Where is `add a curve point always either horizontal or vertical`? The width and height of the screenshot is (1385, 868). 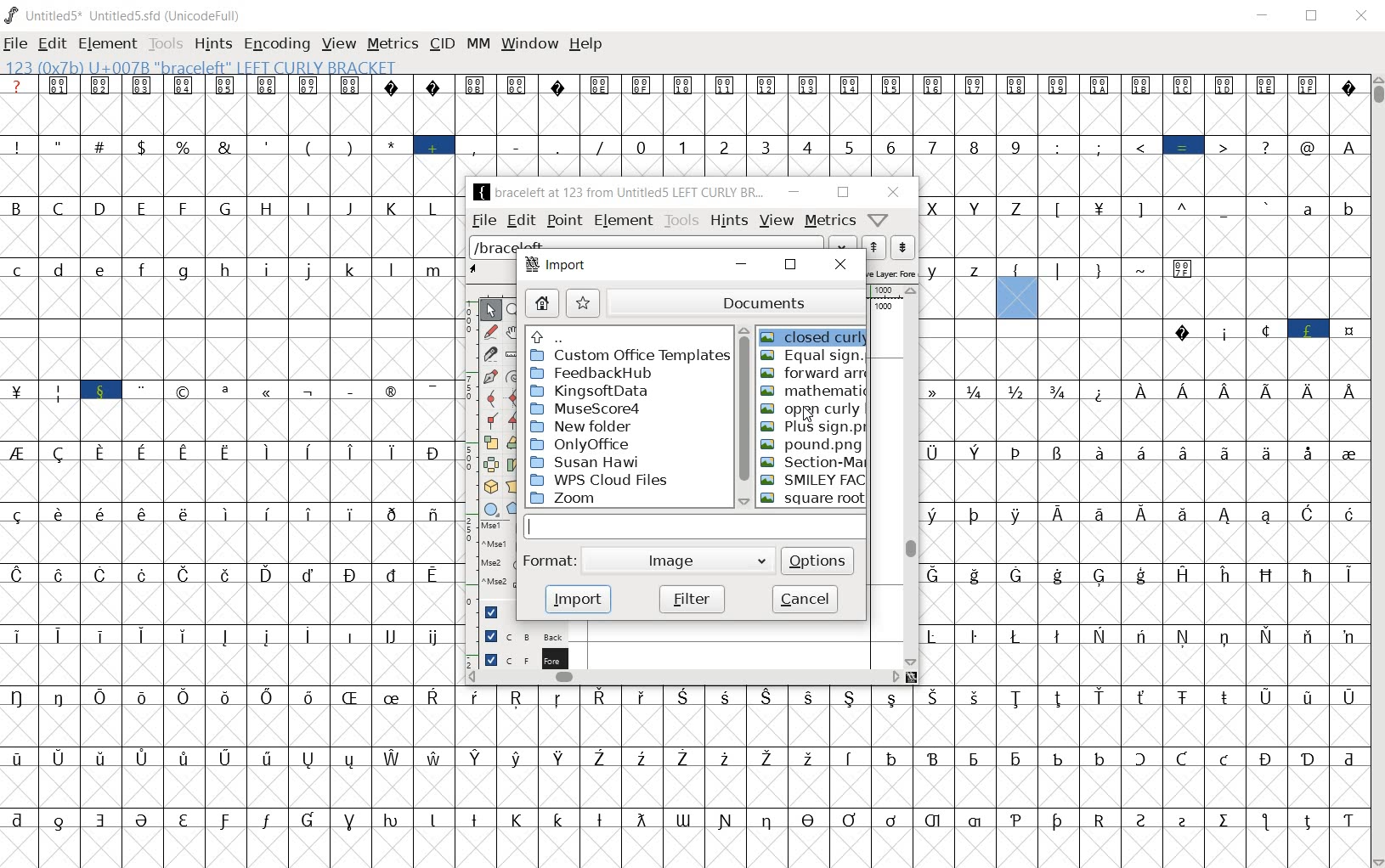
add a curve point always either horizontal or vertical is located at coordinates (516, 397).